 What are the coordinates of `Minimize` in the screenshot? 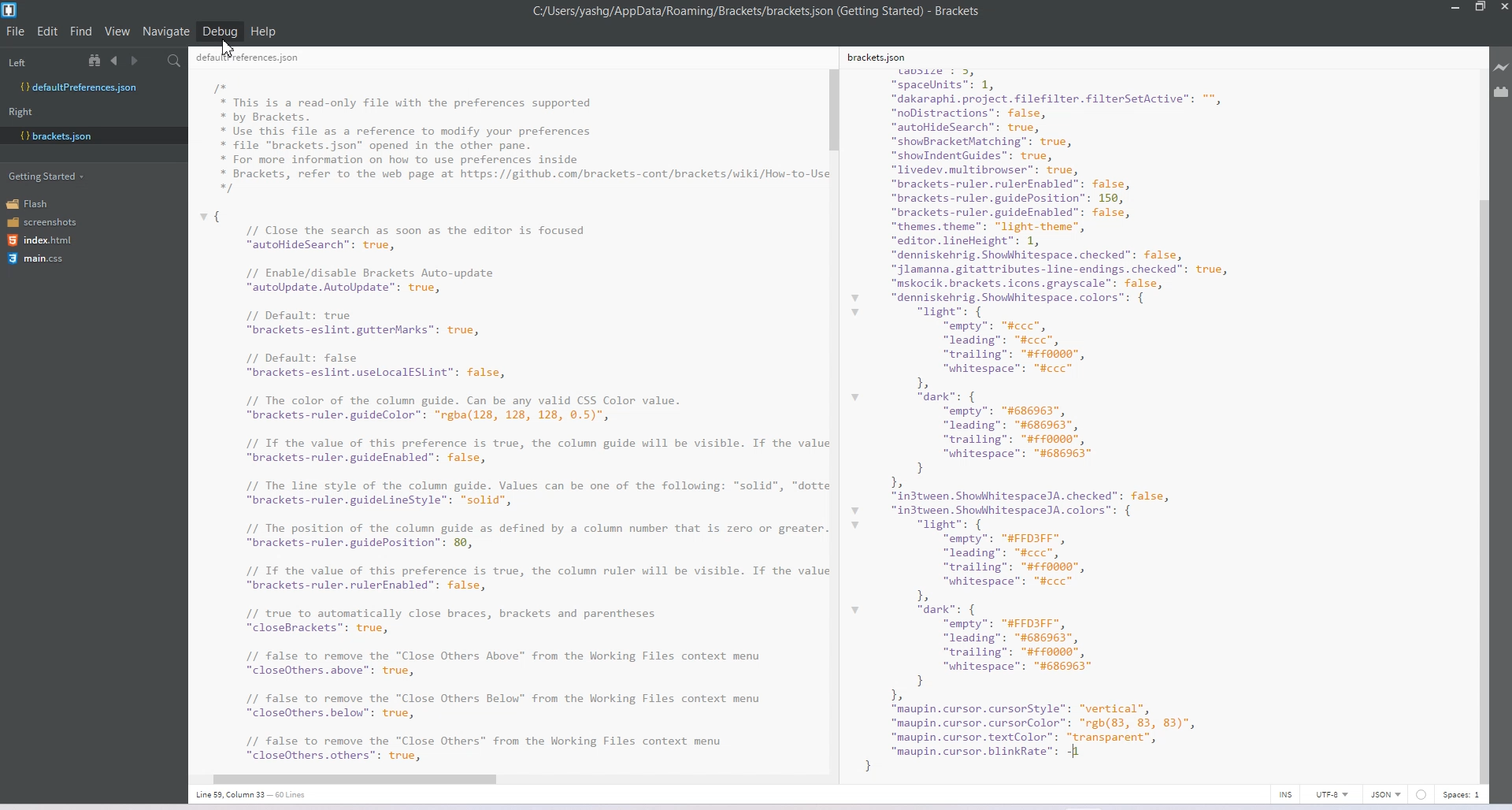 It's located at (1457, 8).